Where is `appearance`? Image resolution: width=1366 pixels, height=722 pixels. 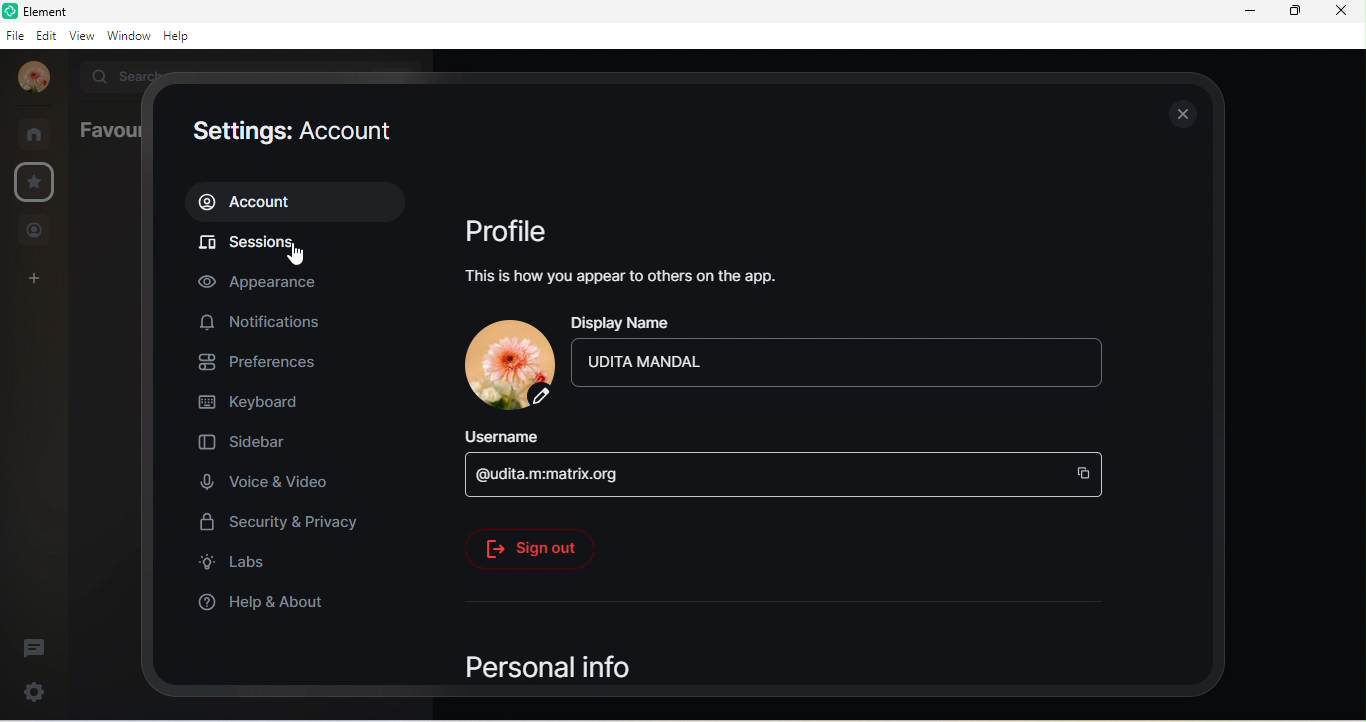 appearance is located at coordinates (269, 282).